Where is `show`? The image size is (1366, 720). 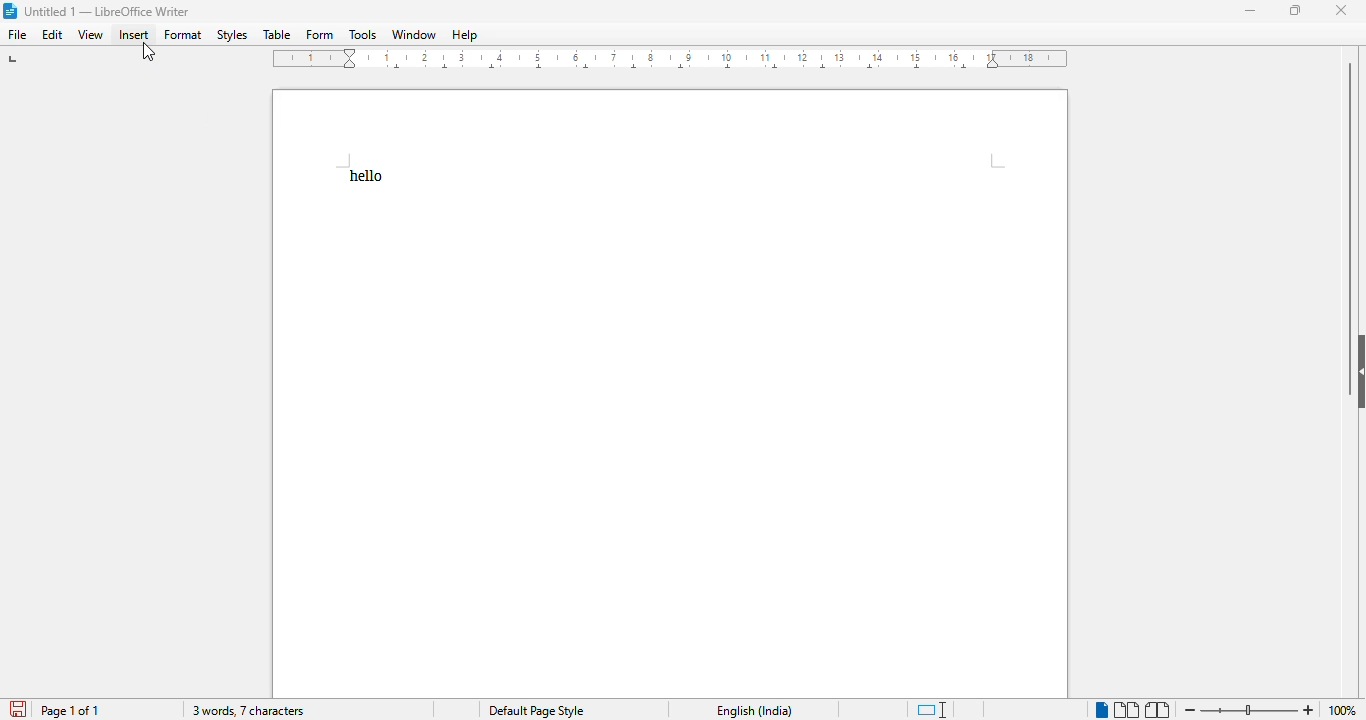
show is located at coordinates (1357, 371).